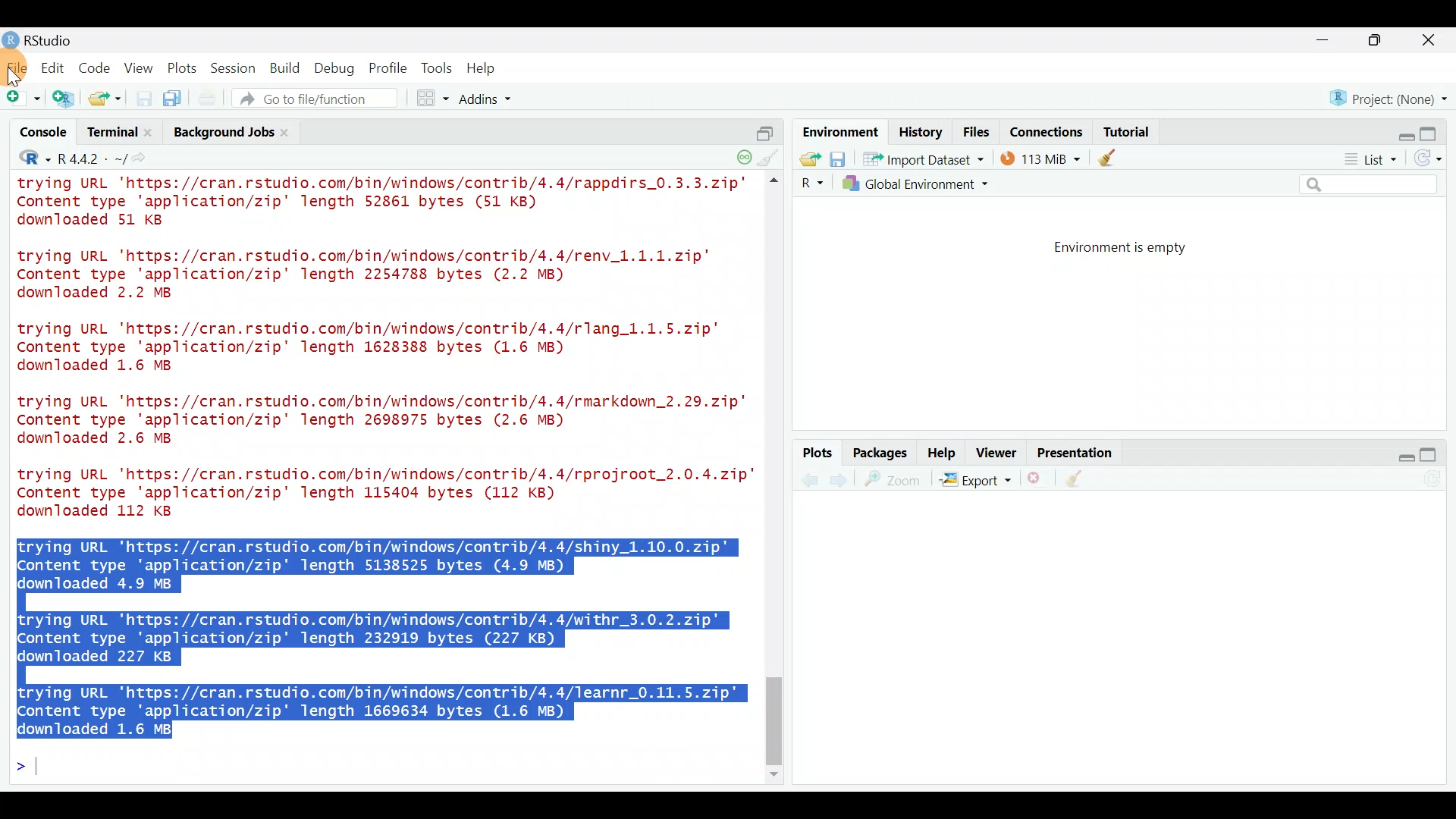 This screenshot has height=819, width=1456. I want to click on R, so click(24, 160).